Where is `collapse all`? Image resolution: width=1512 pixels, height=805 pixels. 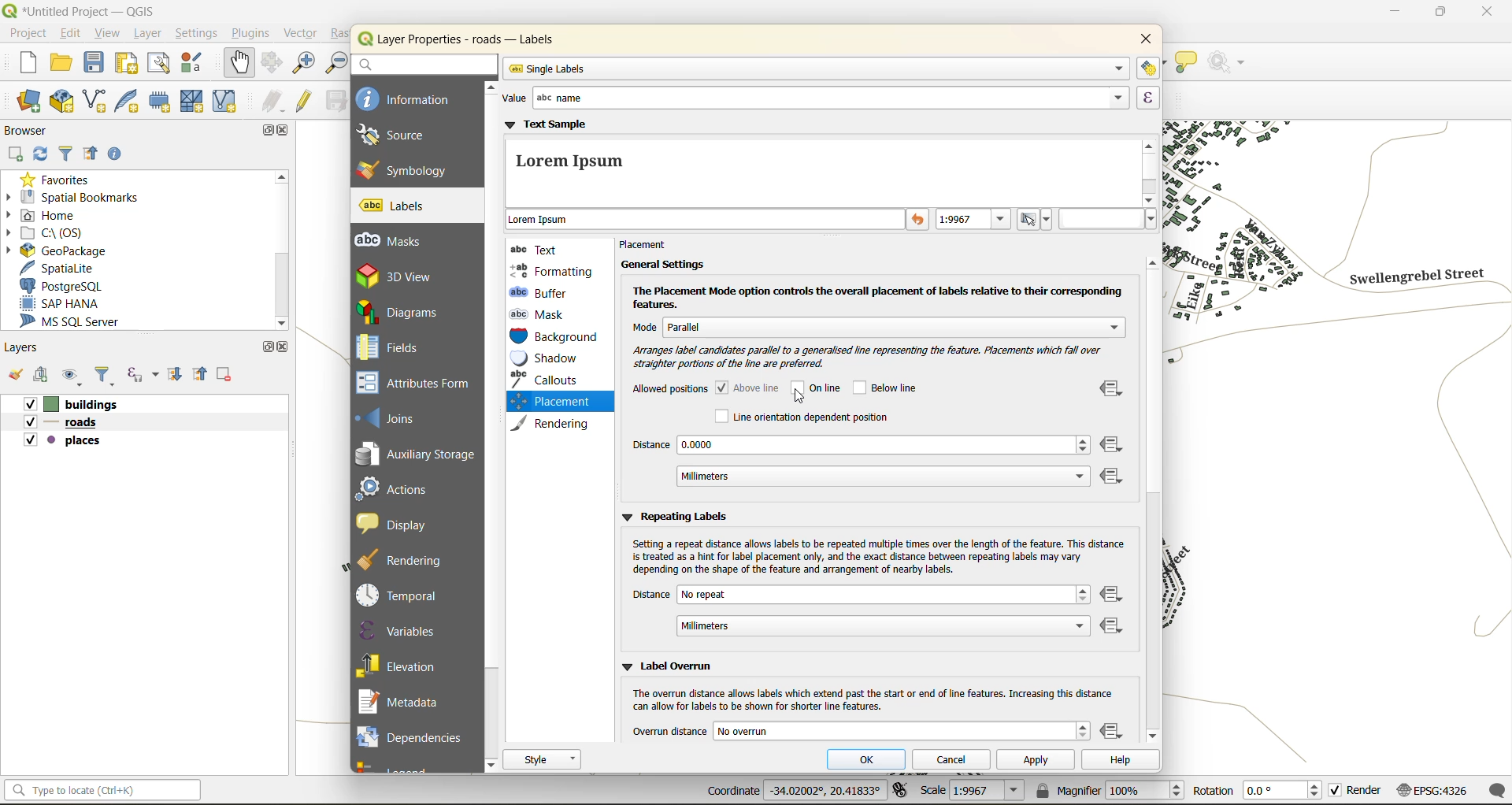 collapse all is located at coordinates (91, 153).